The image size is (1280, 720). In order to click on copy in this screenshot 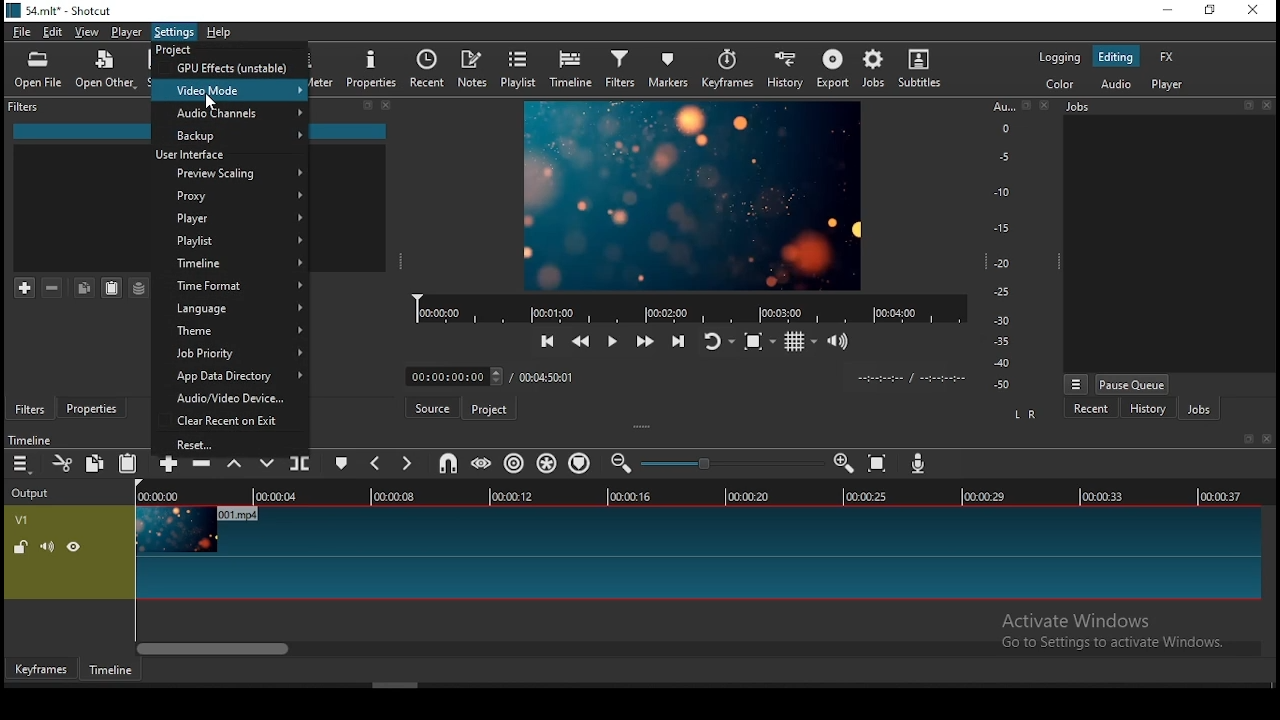, I will do `click(84, 287)`.